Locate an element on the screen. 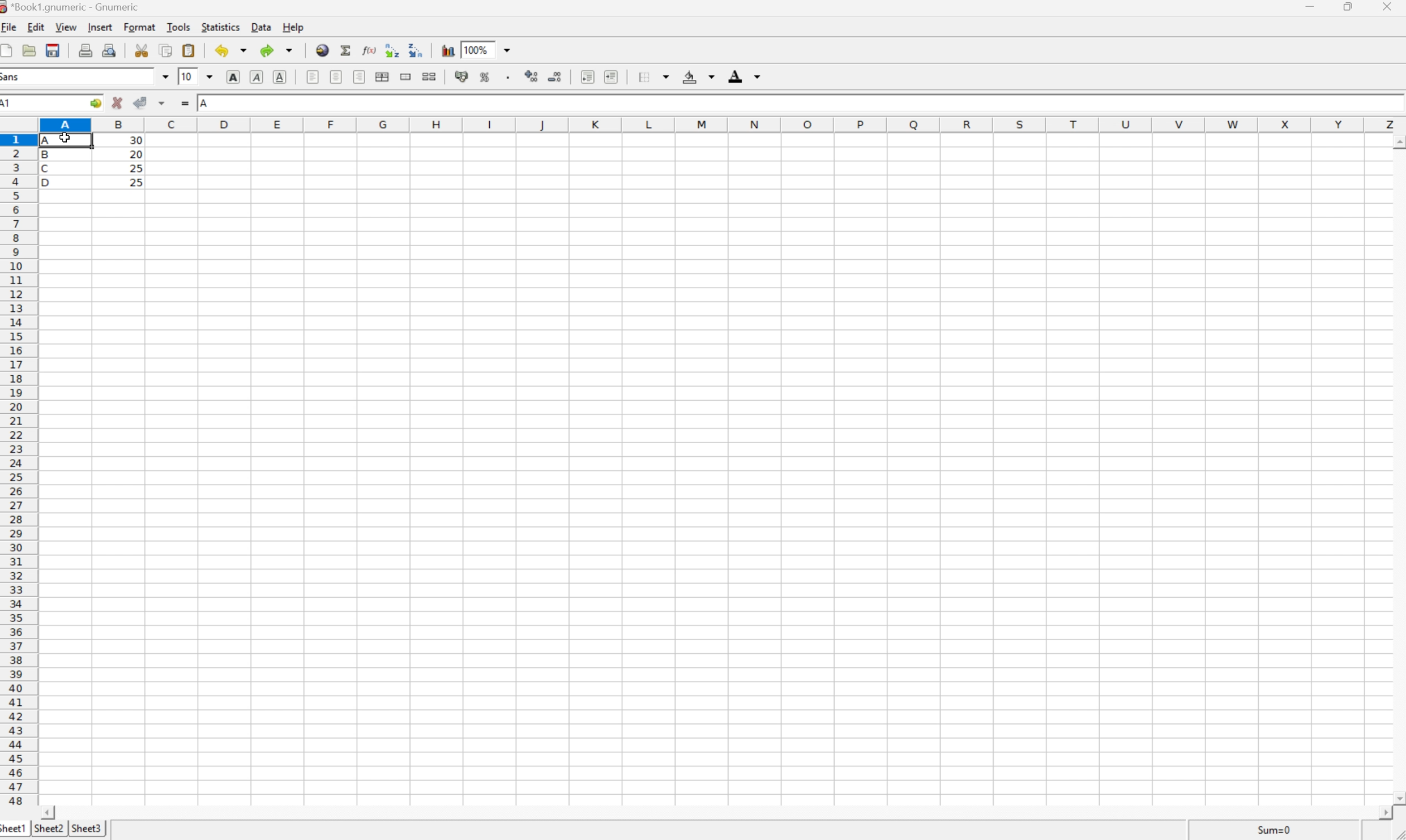  Align Right is located at coordinates (360, 77).